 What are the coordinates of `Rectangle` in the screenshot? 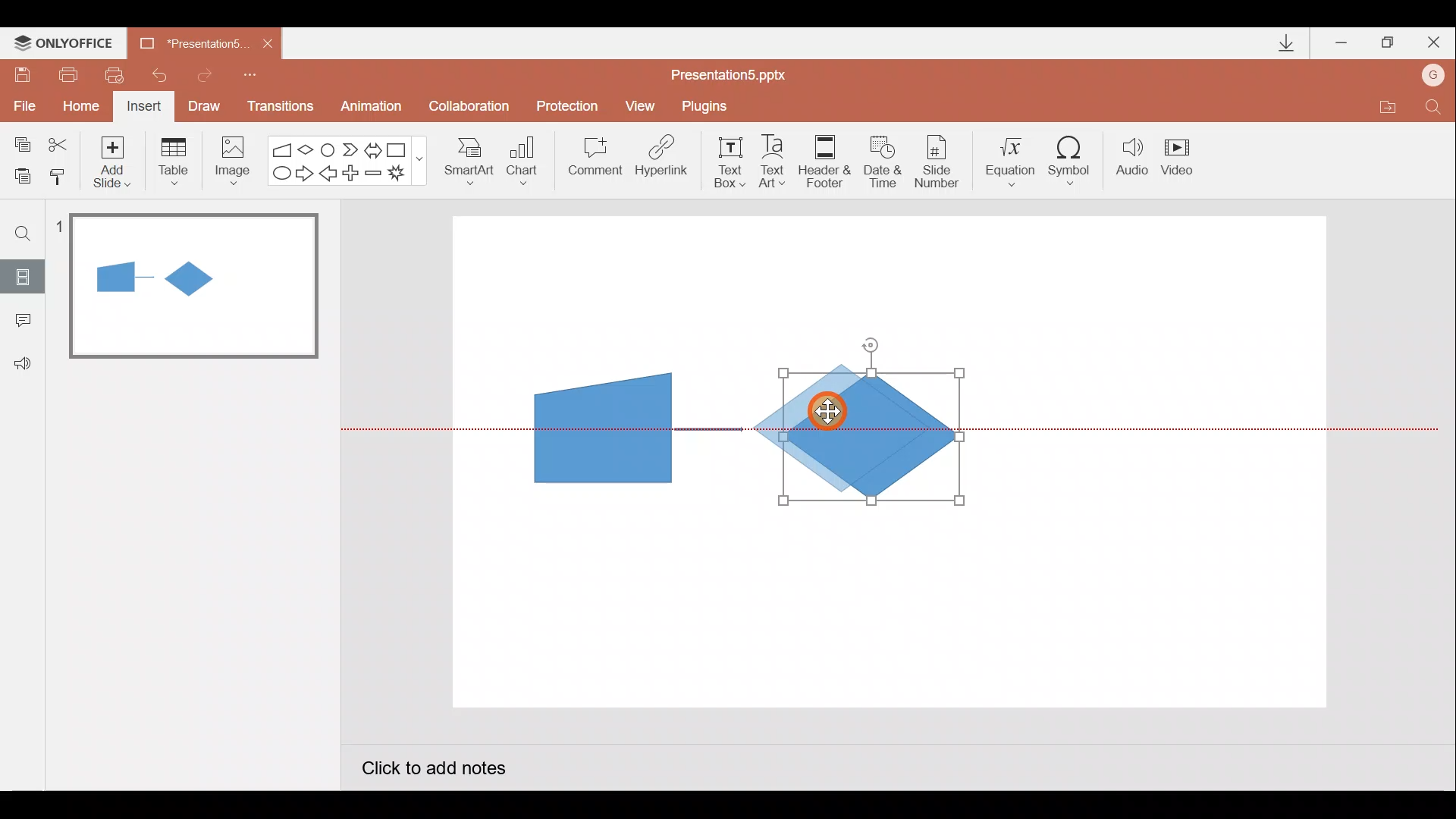 It's located at (400, 149).